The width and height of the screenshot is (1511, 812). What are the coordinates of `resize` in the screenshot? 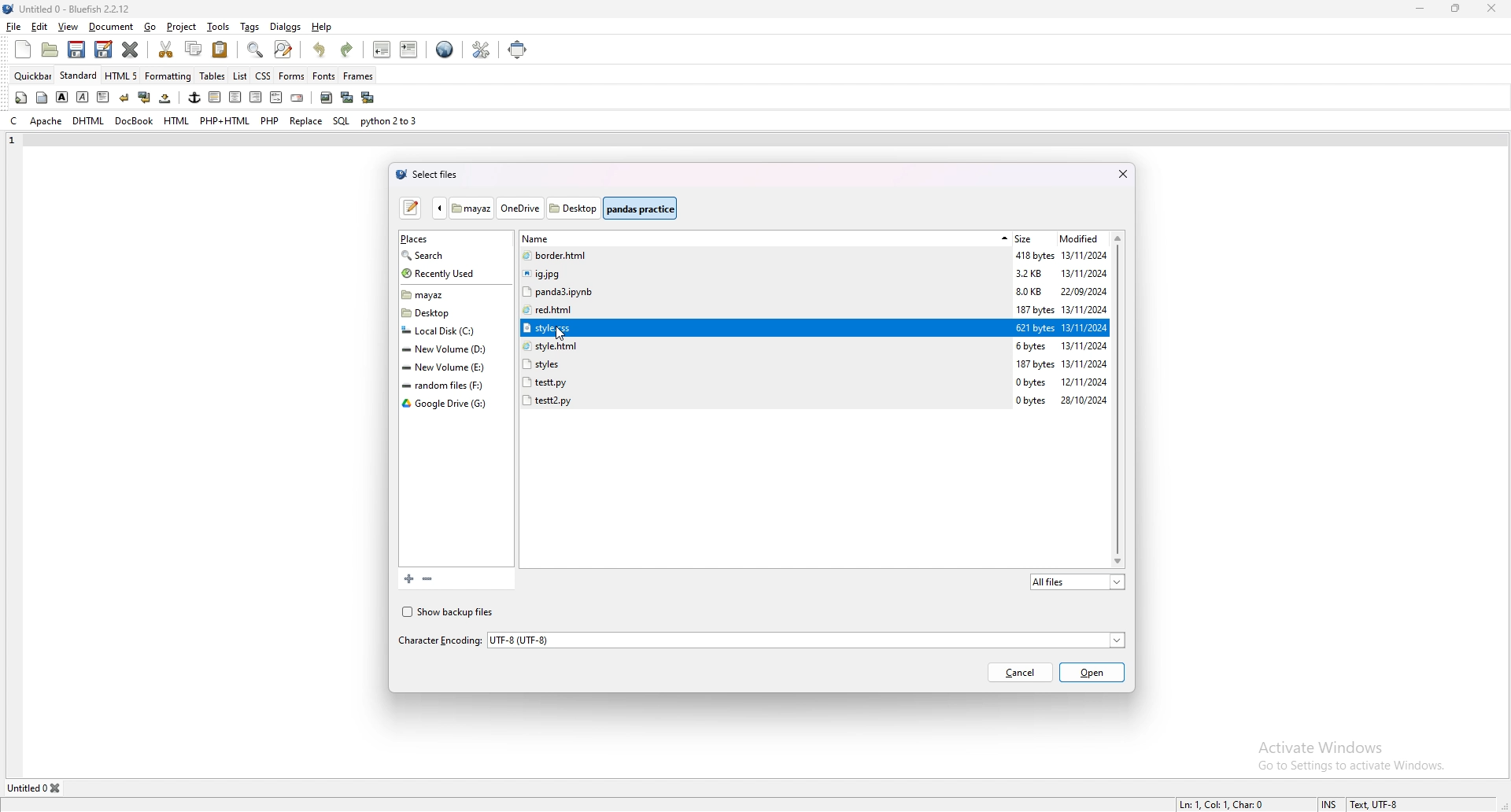 It's located at (1456, 8).